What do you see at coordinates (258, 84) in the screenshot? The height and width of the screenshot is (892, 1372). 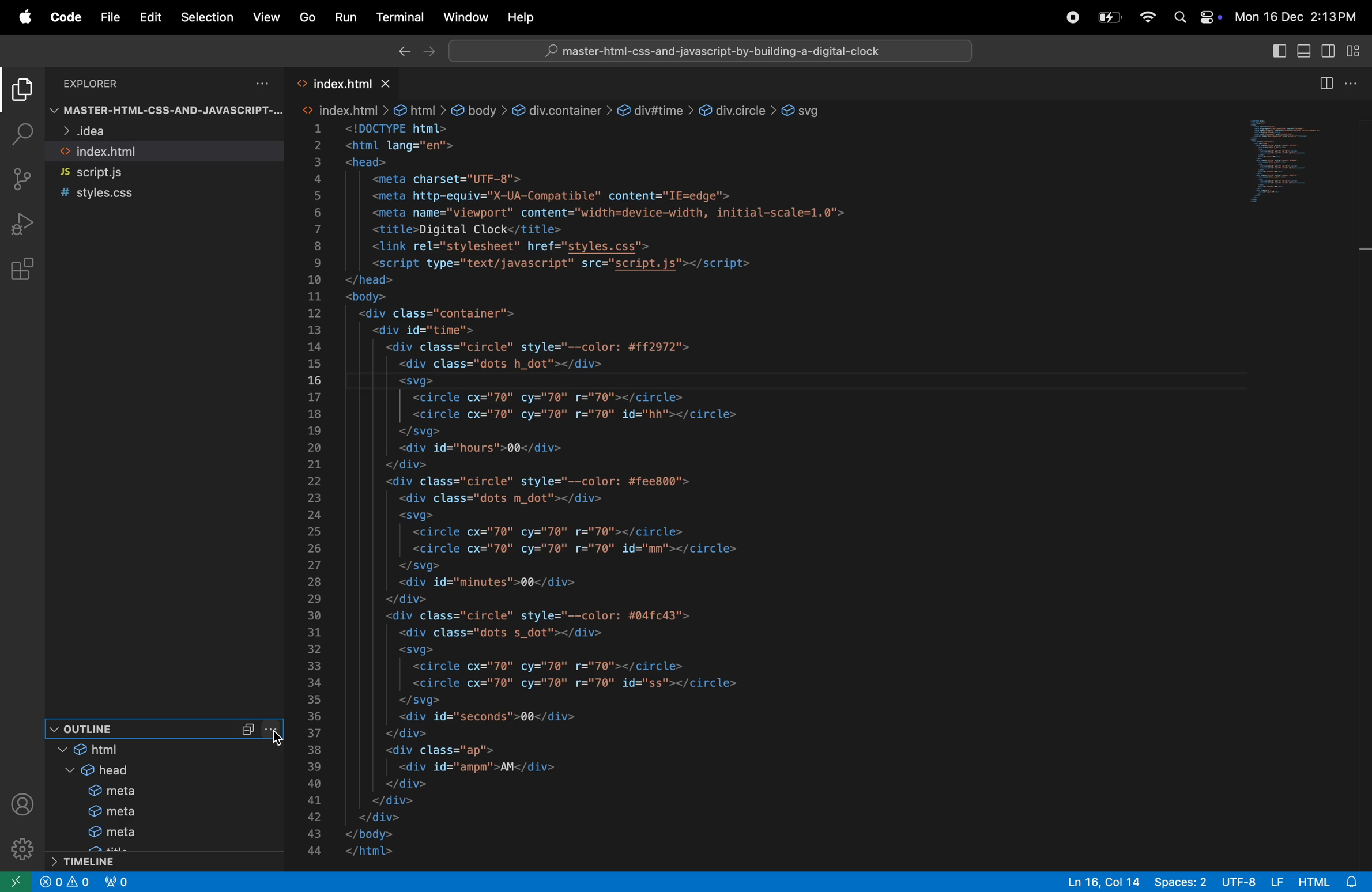 I see `options` at bounding box center [258, 84].